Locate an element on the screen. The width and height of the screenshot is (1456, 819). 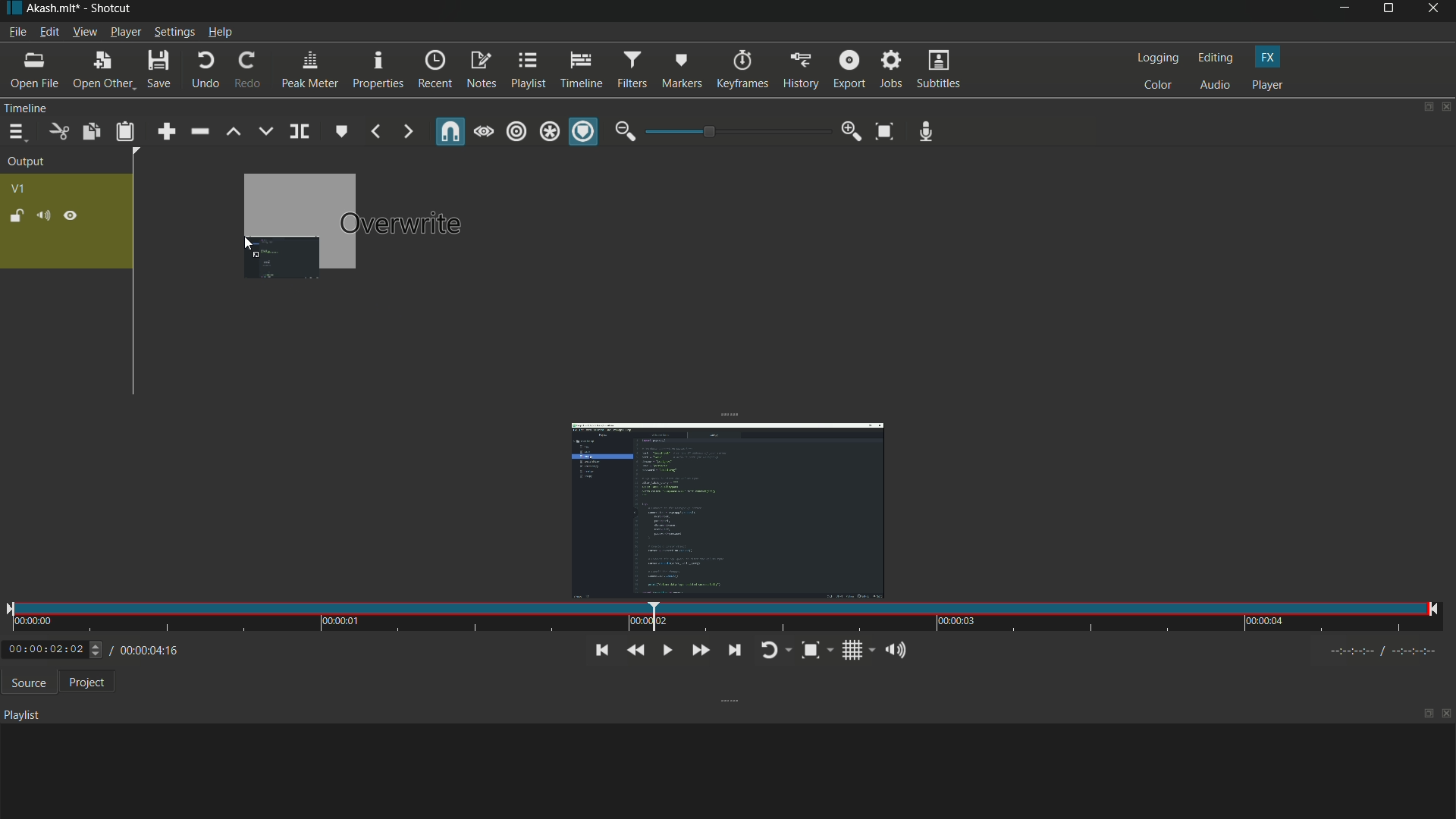
maximize is located at coordinates (1390, 11).